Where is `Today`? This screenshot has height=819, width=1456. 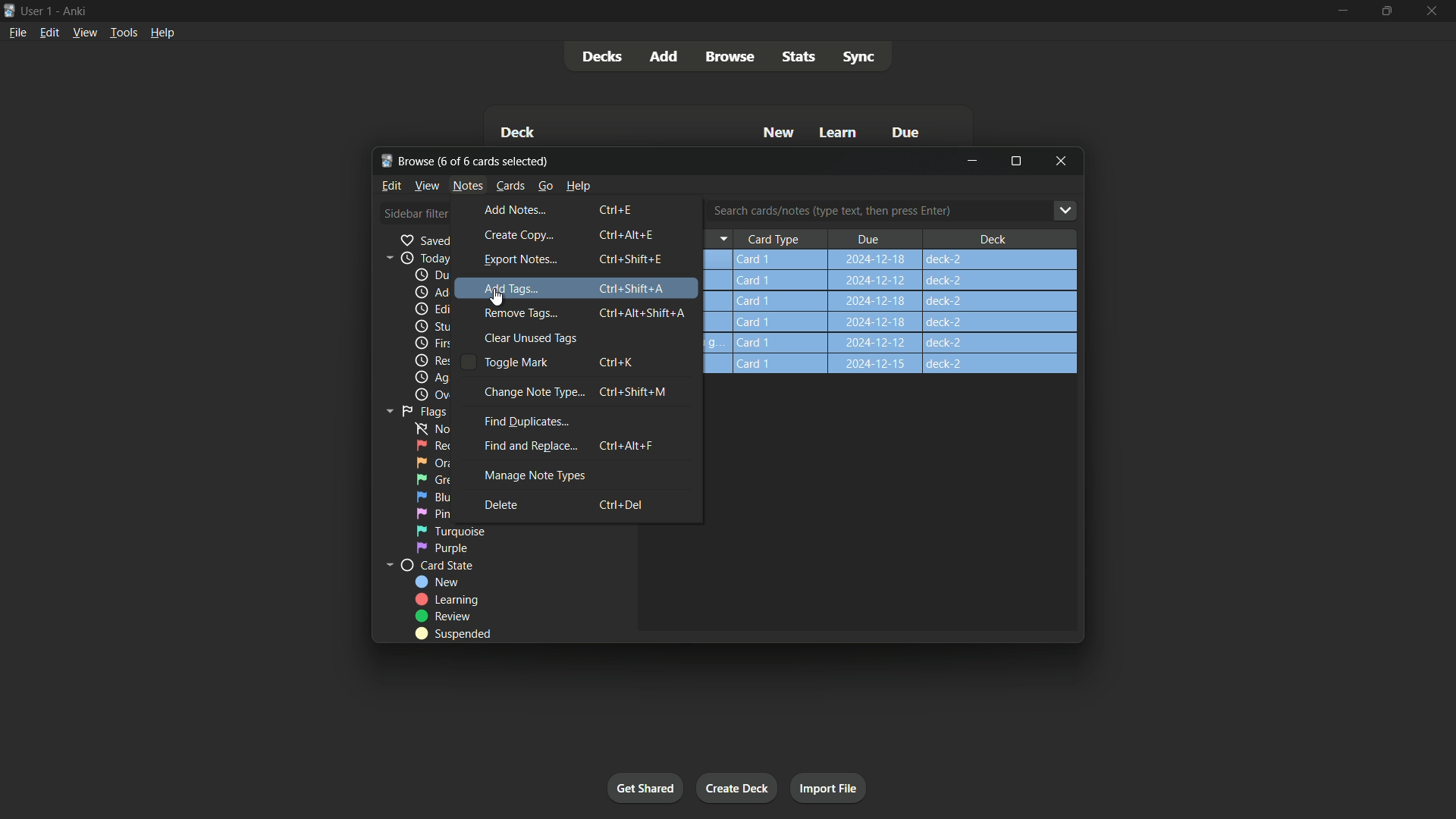
Today is located at coordinates (414, 258).